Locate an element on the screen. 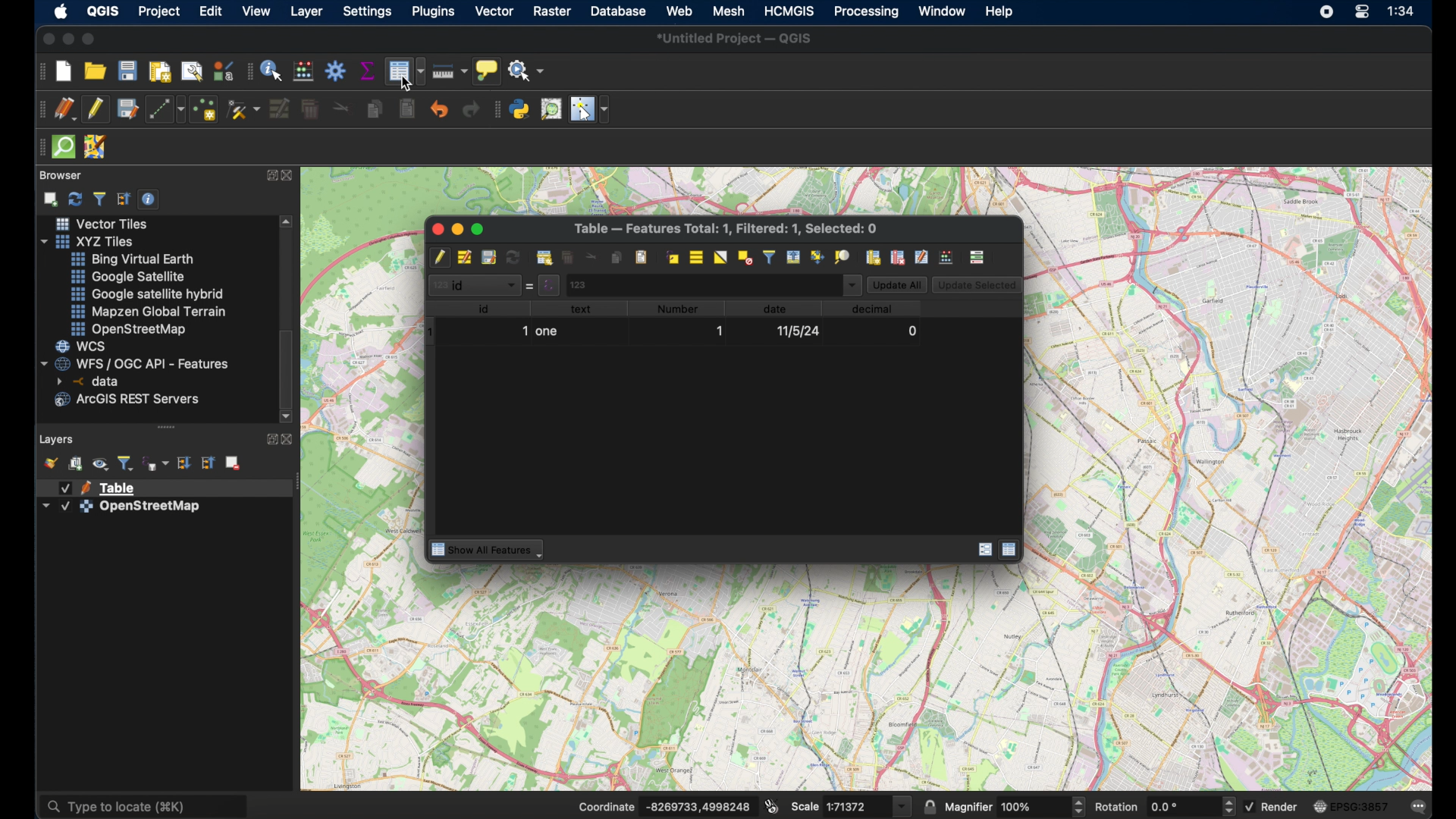  open project is located at coordinates (93, 69).